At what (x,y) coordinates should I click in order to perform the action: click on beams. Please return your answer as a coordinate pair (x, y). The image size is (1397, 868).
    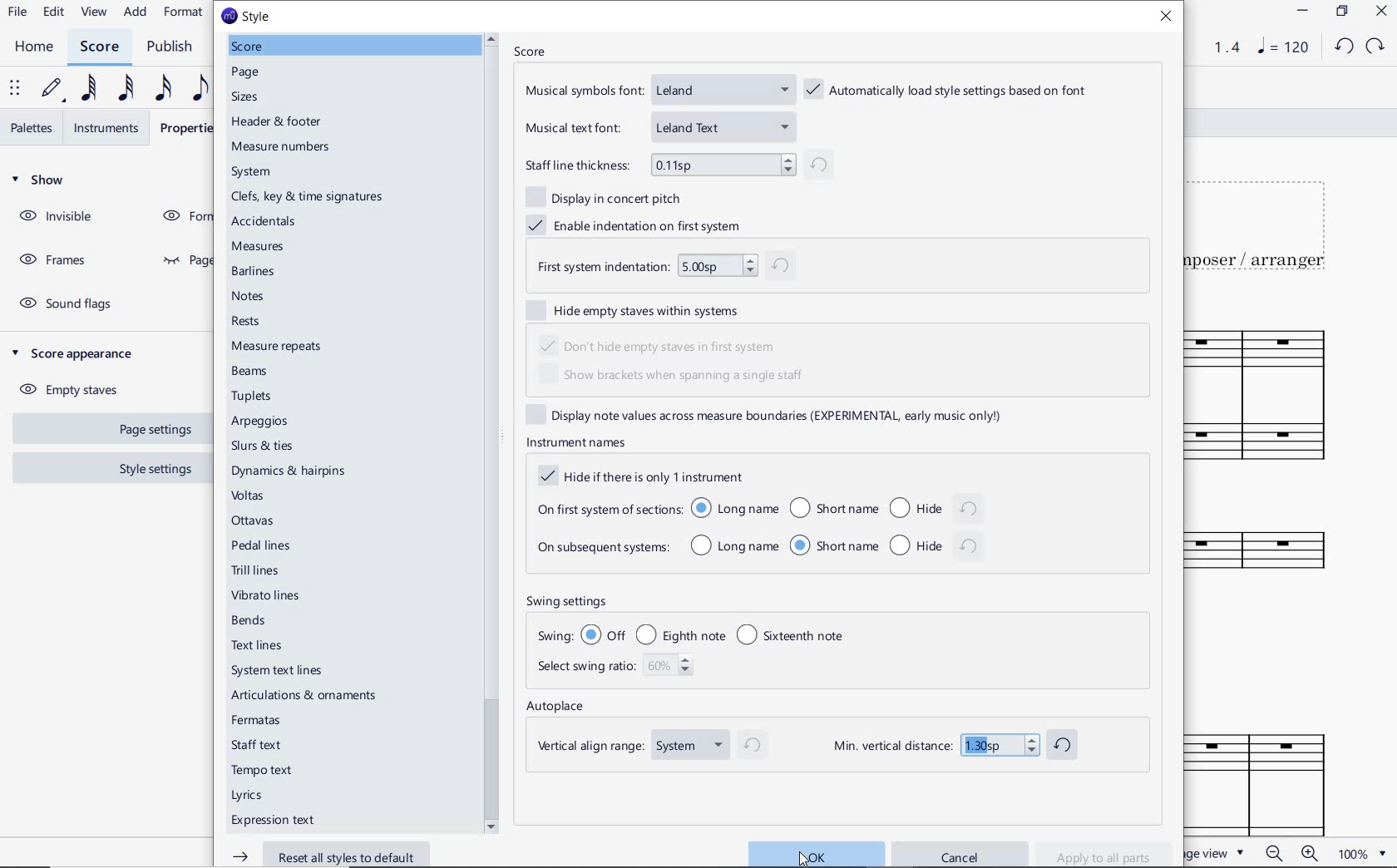
    Looking at the image, I should click on (253, 373).